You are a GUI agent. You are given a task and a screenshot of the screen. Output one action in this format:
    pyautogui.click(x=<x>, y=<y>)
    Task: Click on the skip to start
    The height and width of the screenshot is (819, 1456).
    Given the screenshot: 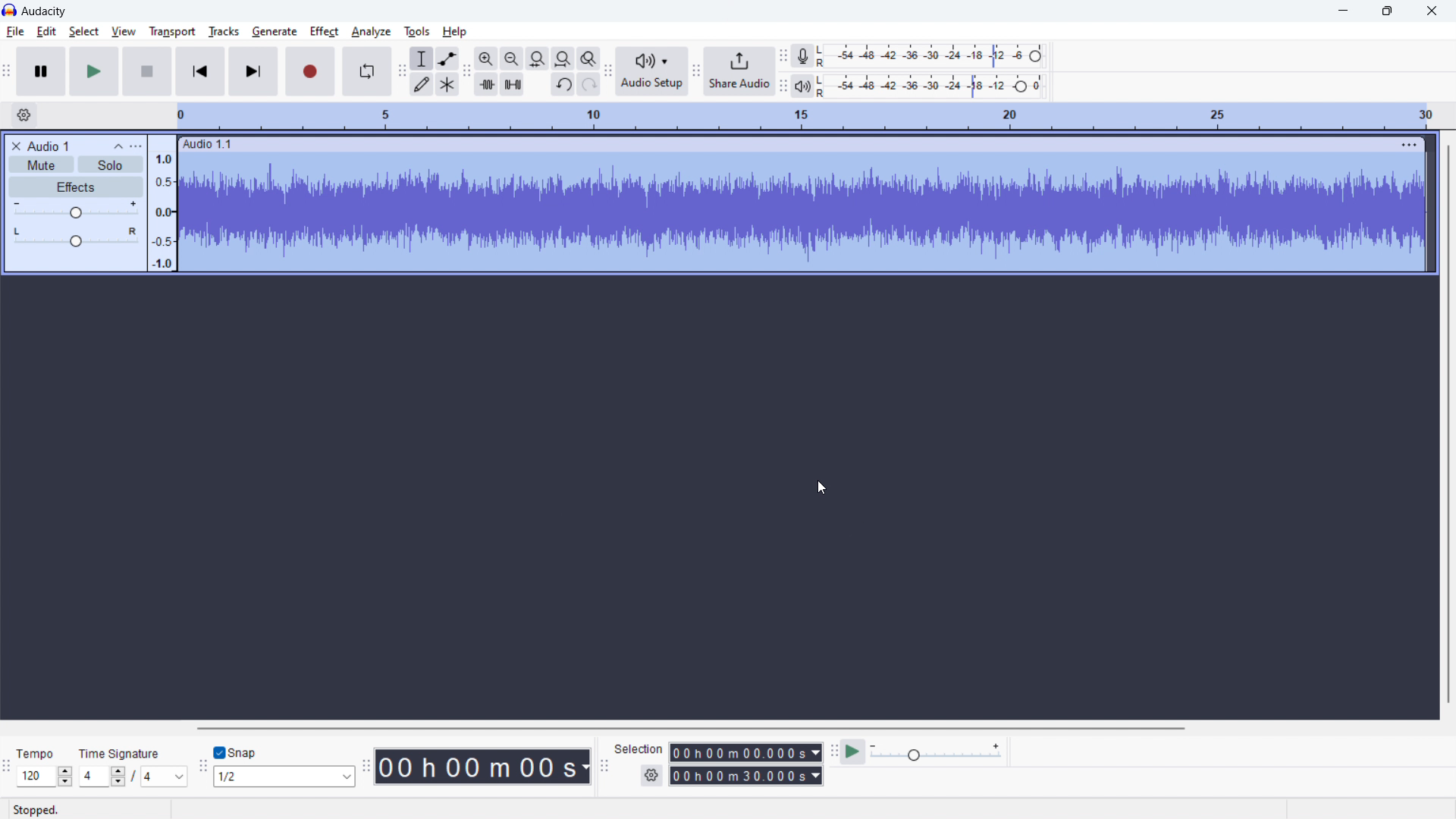 What is the action you would take?
    pyautogui.click(x=200, y=71)
    